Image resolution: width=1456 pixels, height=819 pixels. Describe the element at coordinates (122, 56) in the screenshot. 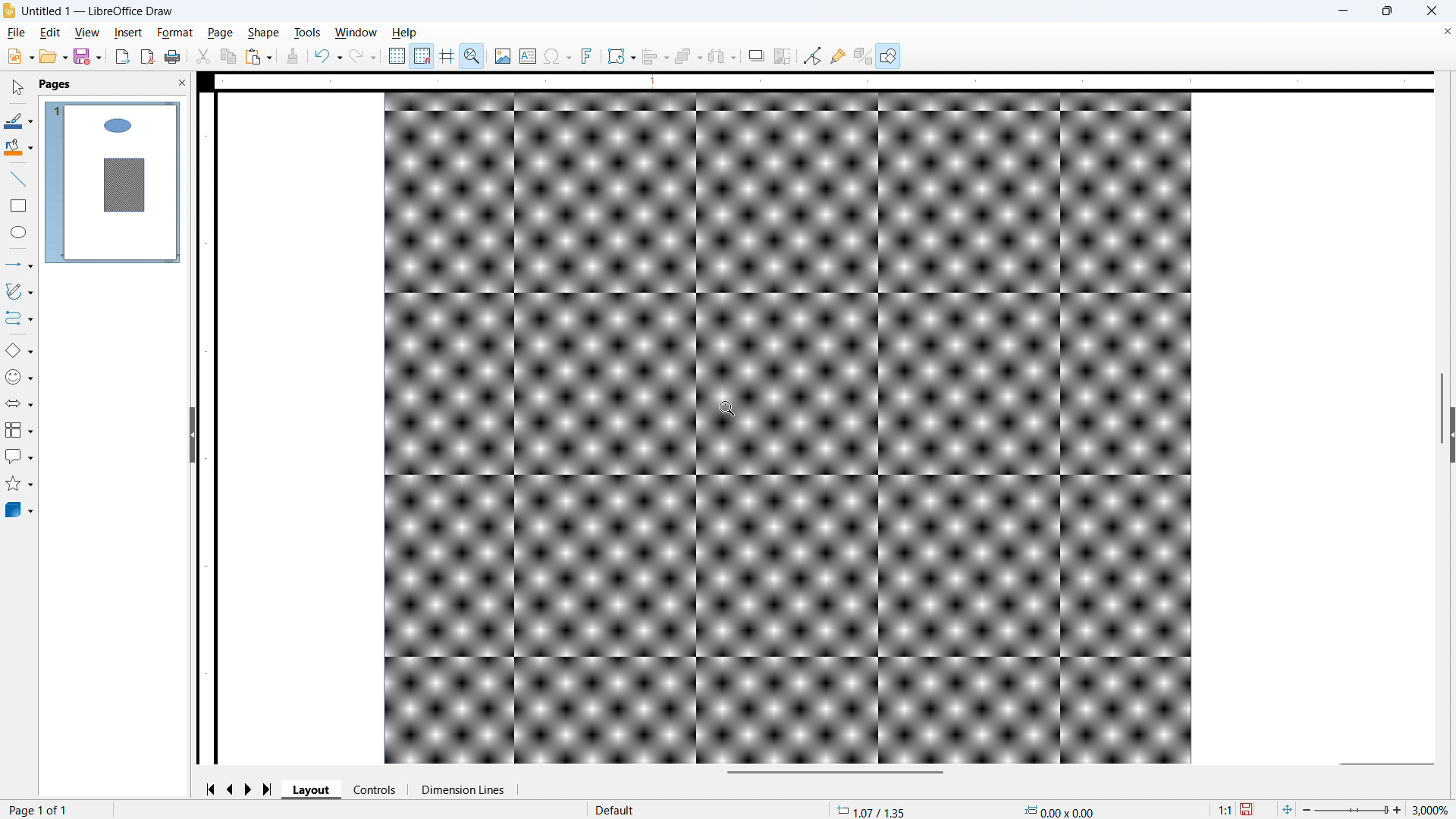

I see `Export ` at that location.